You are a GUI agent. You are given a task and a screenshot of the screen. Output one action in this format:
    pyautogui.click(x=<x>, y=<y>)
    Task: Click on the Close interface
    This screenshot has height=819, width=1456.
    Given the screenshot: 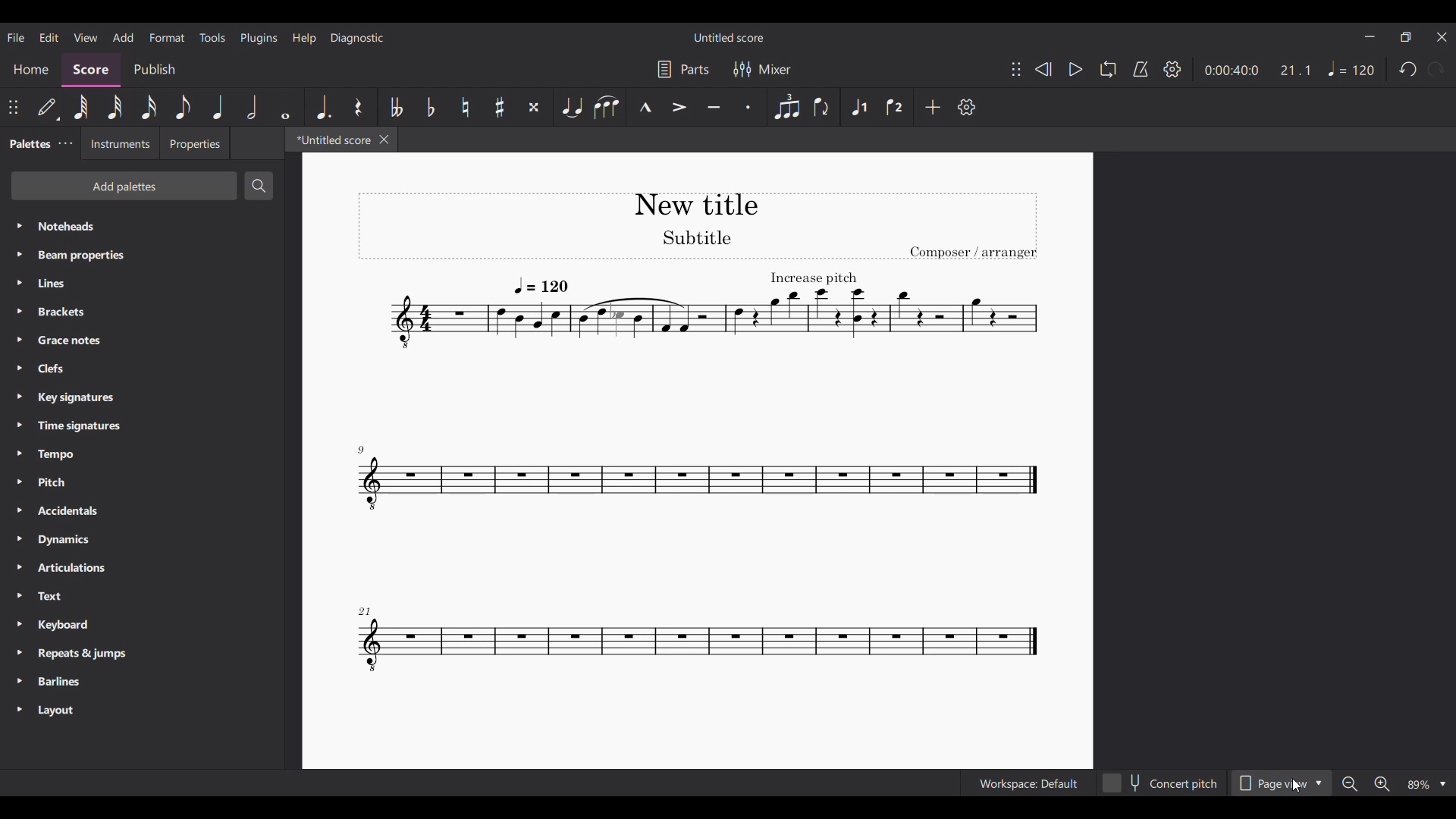 What is the action you would take?
    pyautogui.click(x=1442, y=36)
    